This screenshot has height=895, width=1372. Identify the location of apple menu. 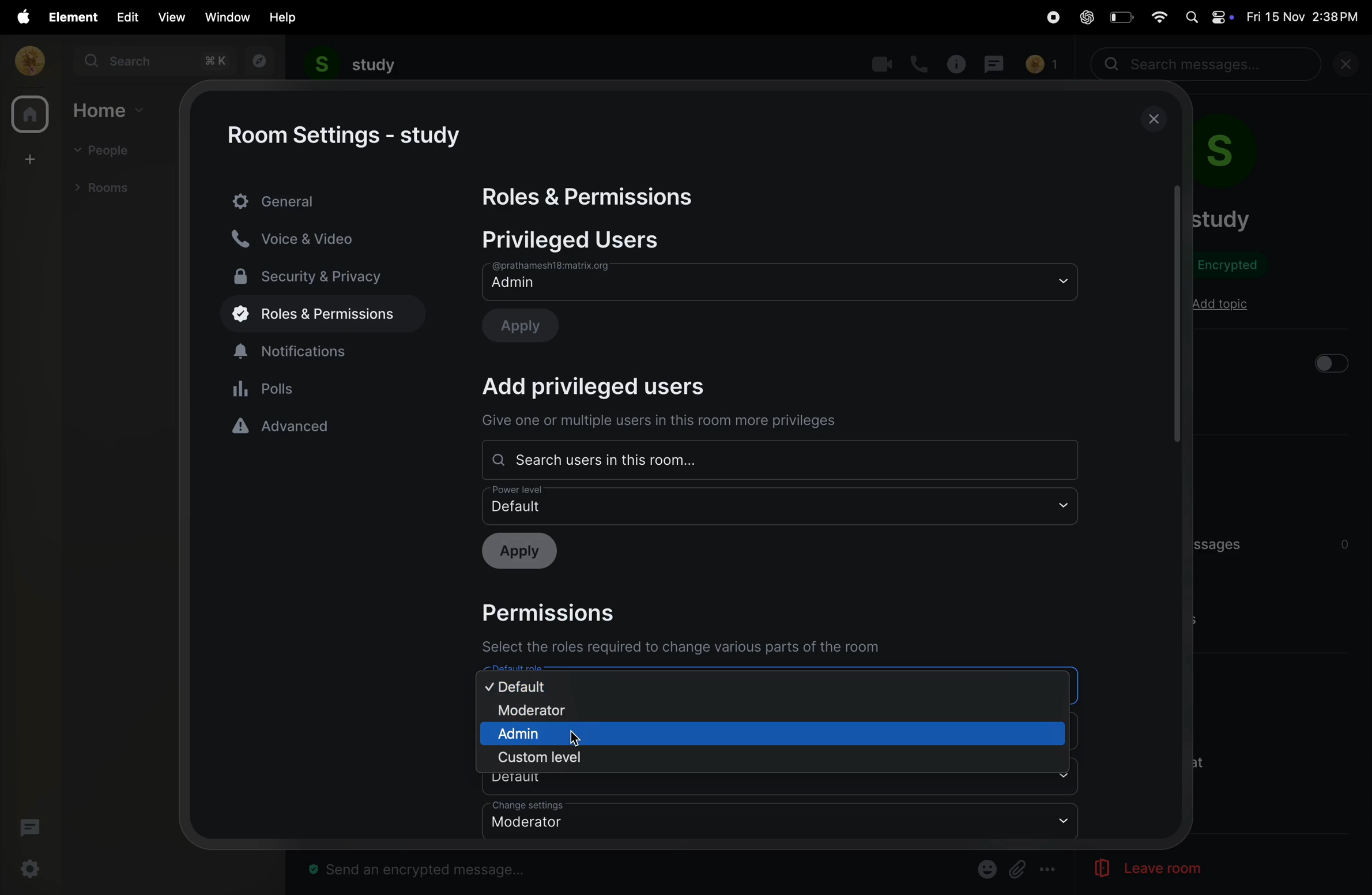
(19, 17).